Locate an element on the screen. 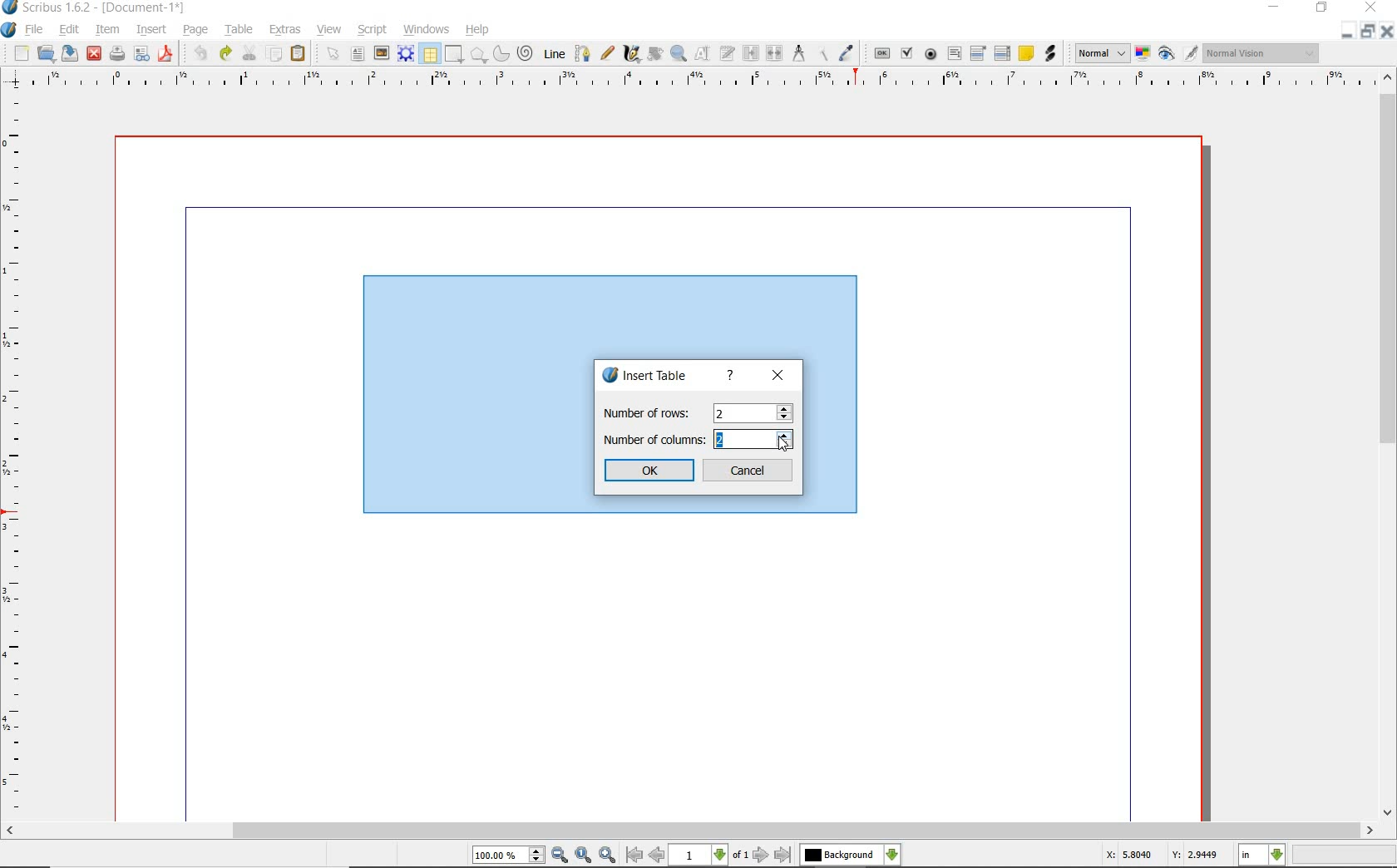 The image size is (1397, 868). file is located at coordinates (35, 31).